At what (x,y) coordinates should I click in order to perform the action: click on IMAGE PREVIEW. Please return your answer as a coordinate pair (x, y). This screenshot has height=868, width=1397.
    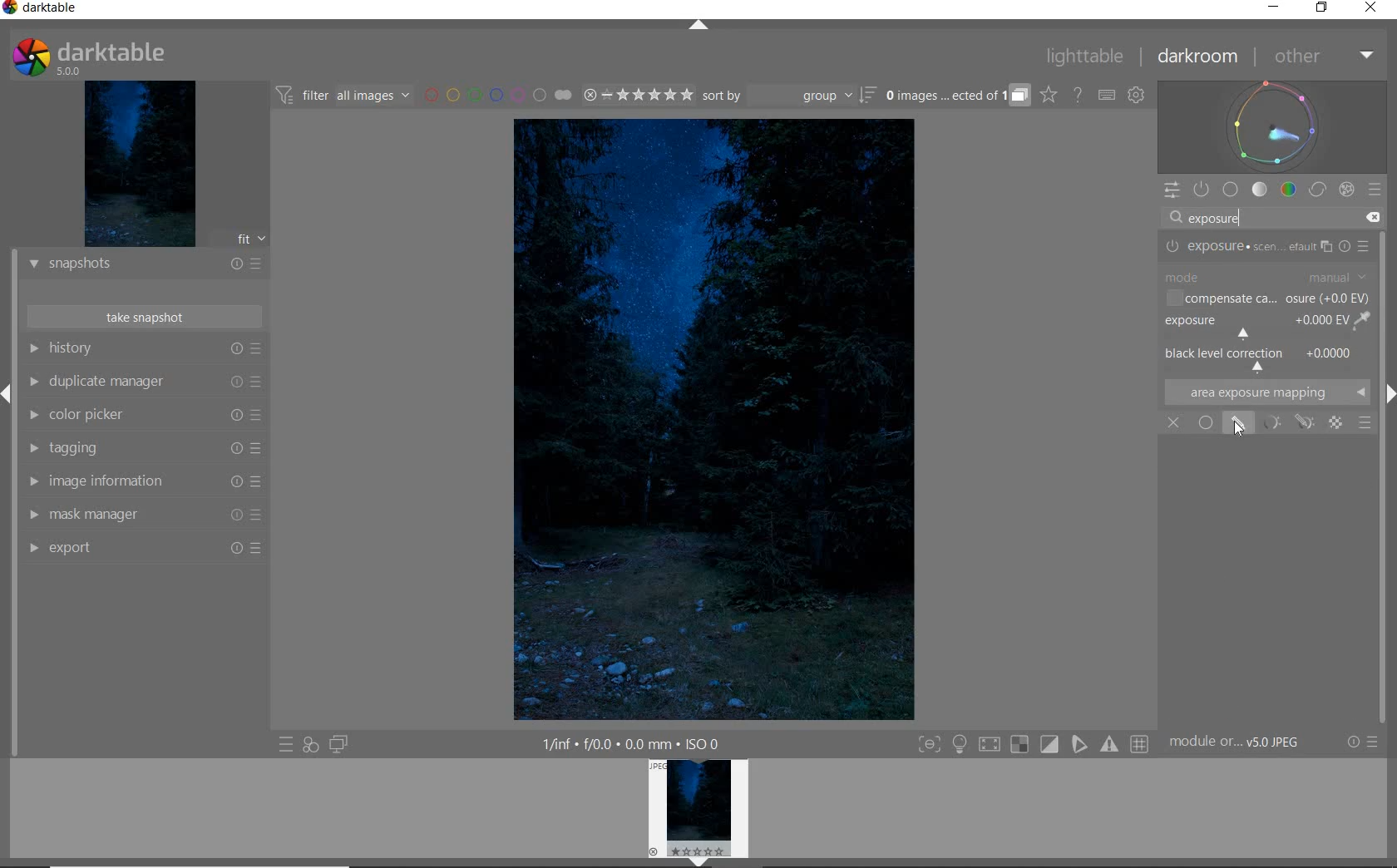
    Looking at the image, I should click on (698, 812).